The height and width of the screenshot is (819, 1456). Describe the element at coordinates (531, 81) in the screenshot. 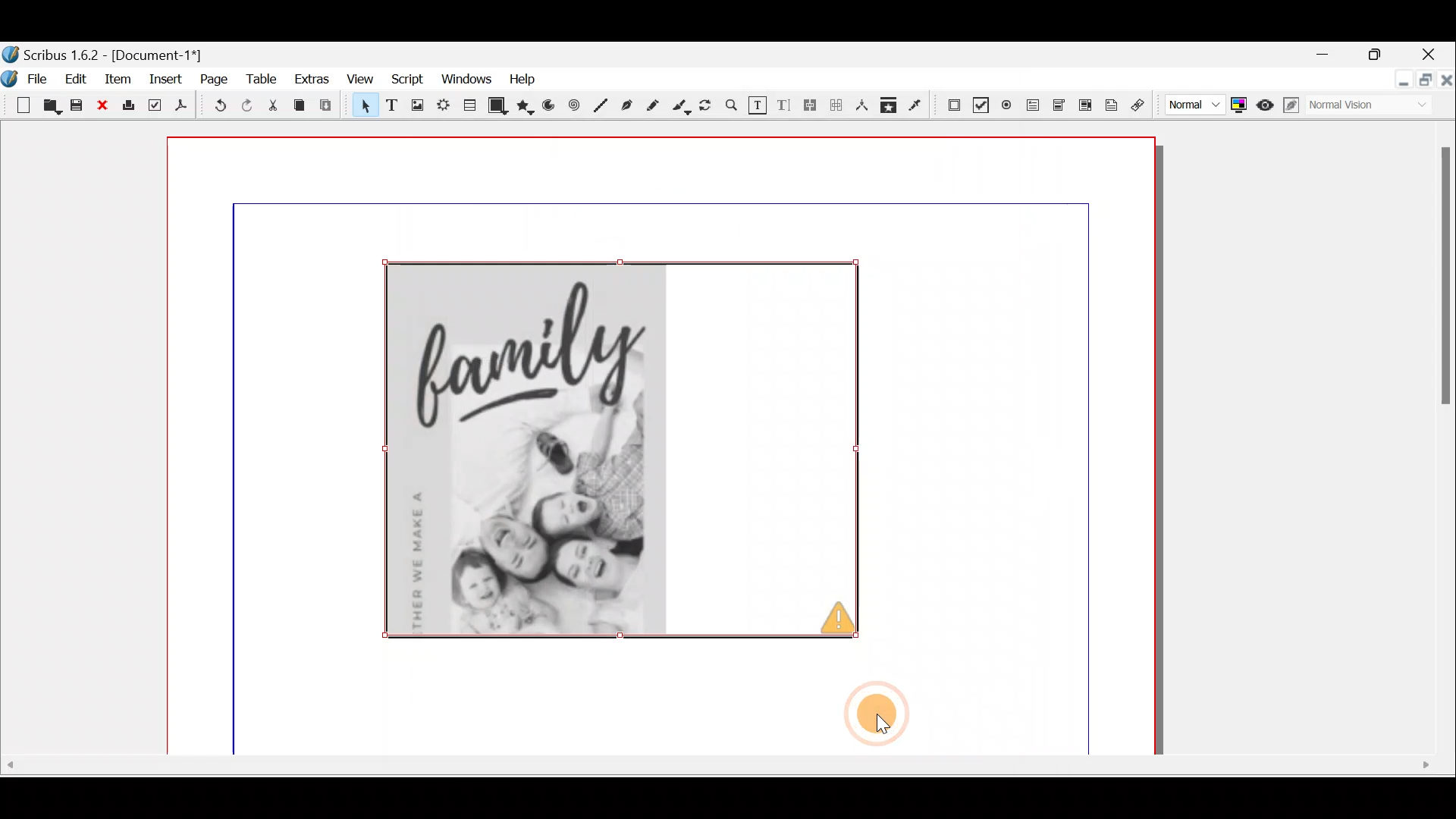

I see `Help` at that location.